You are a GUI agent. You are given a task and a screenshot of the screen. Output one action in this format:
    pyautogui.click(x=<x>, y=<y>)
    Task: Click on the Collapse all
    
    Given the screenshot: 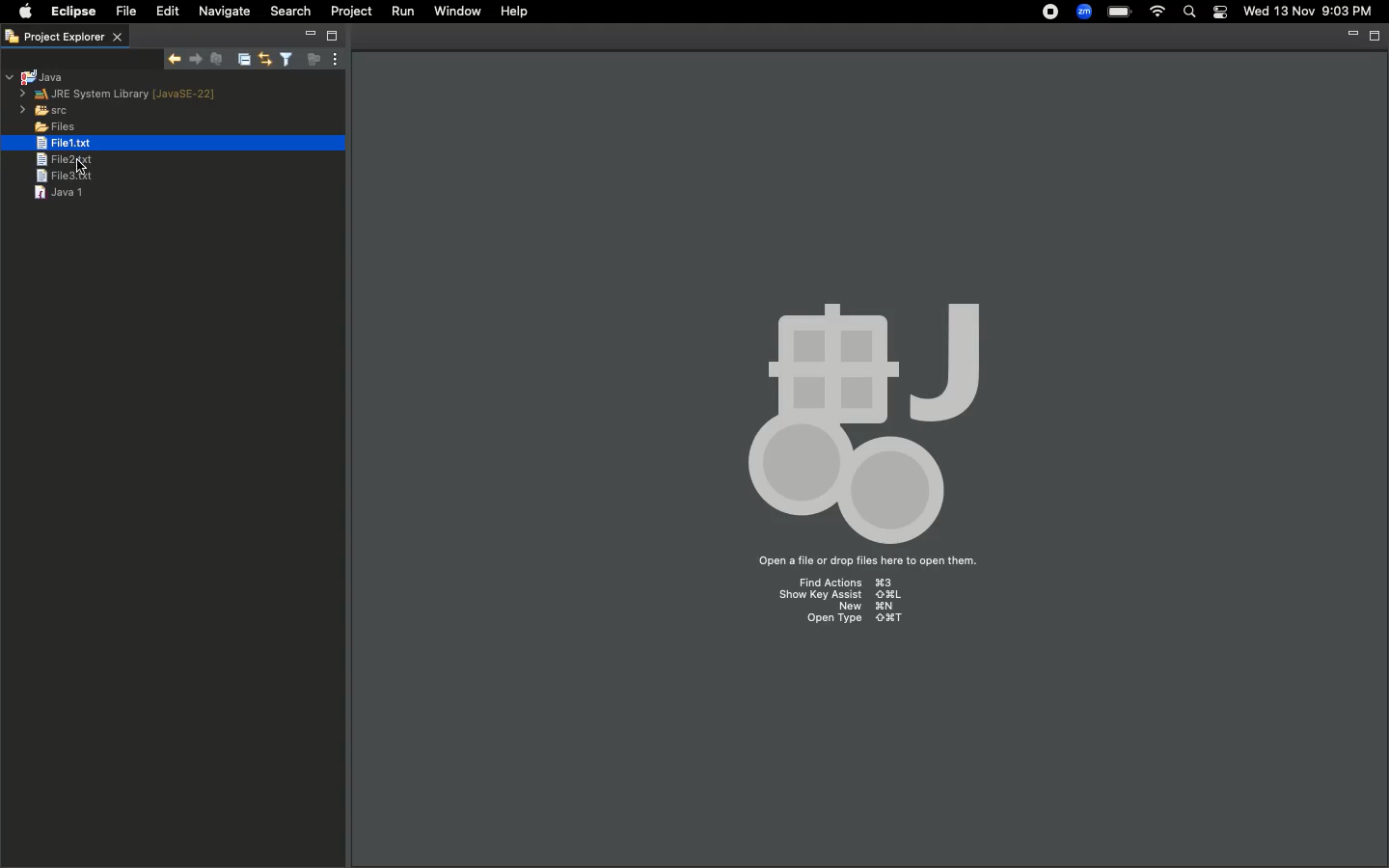 What is the action you would take?
    pyautogui.click(x=241, y=61)
    